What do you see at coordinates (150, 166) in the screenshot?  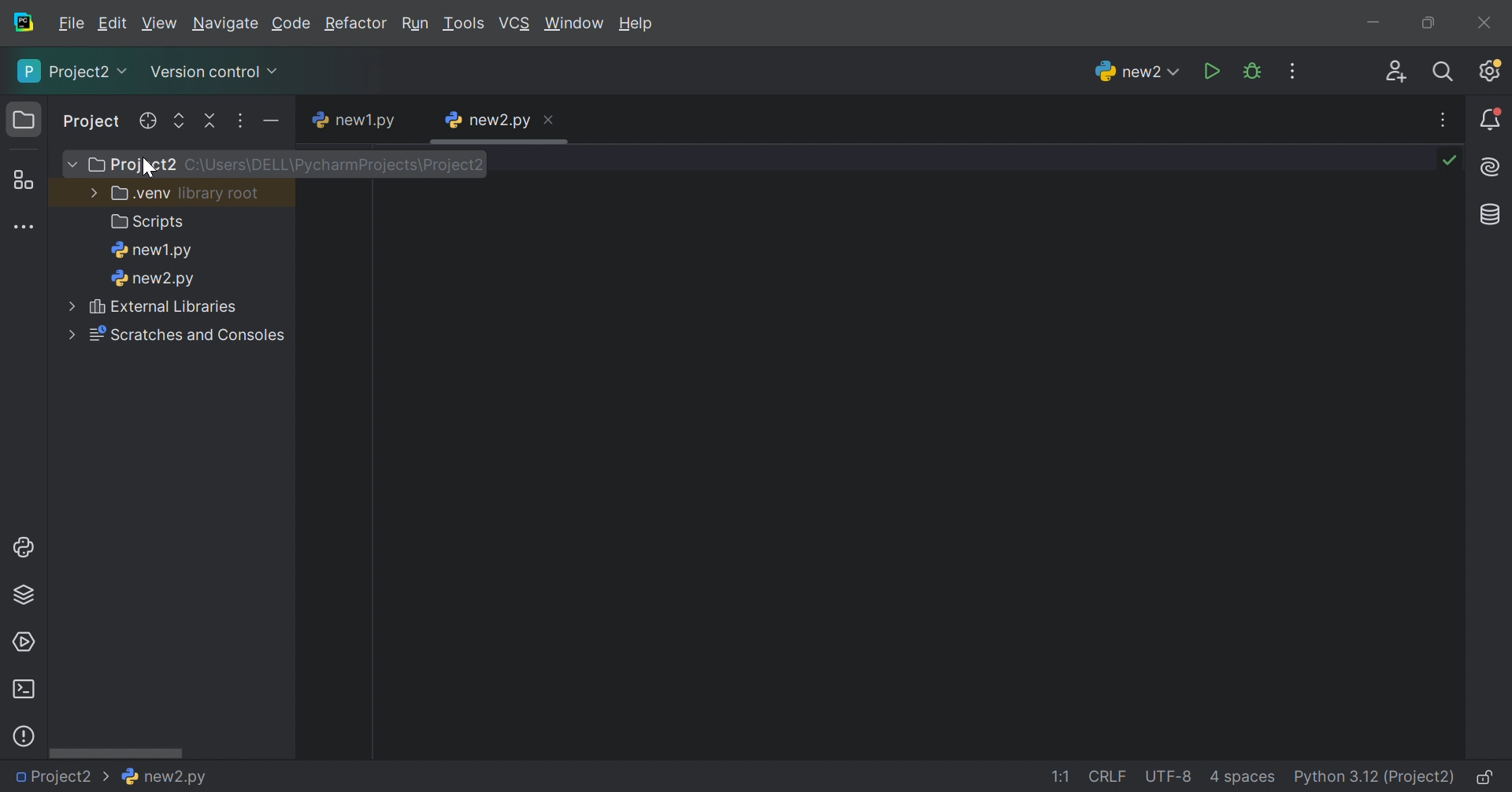 I see `cursor` at bounding box center [150, 166].